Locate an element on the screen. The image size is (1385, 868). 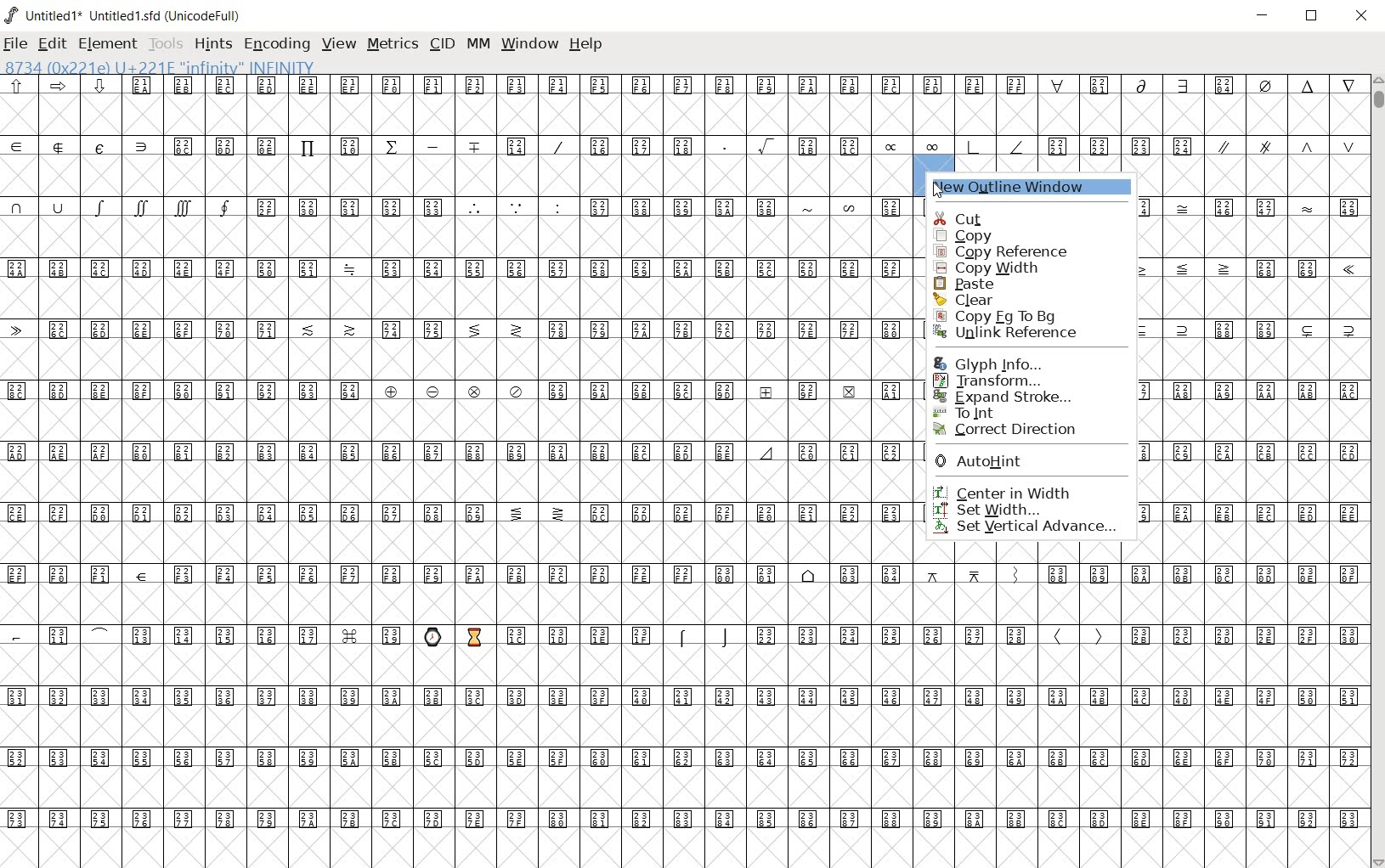
edited glyph is located at coordinates (691, 848).